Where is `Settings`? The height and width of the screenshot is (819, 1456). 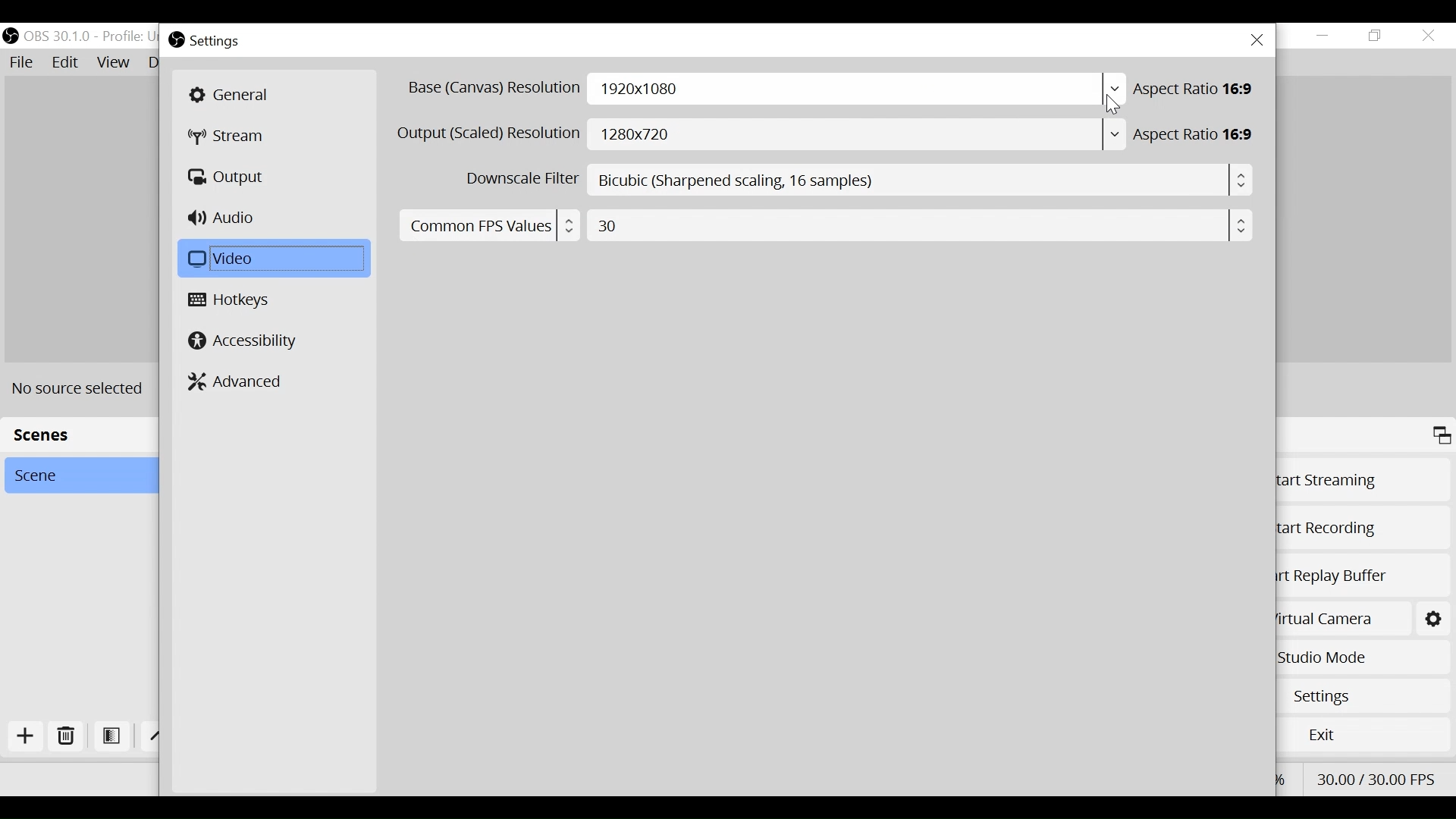 Settings is located at coordinates (216, 42).